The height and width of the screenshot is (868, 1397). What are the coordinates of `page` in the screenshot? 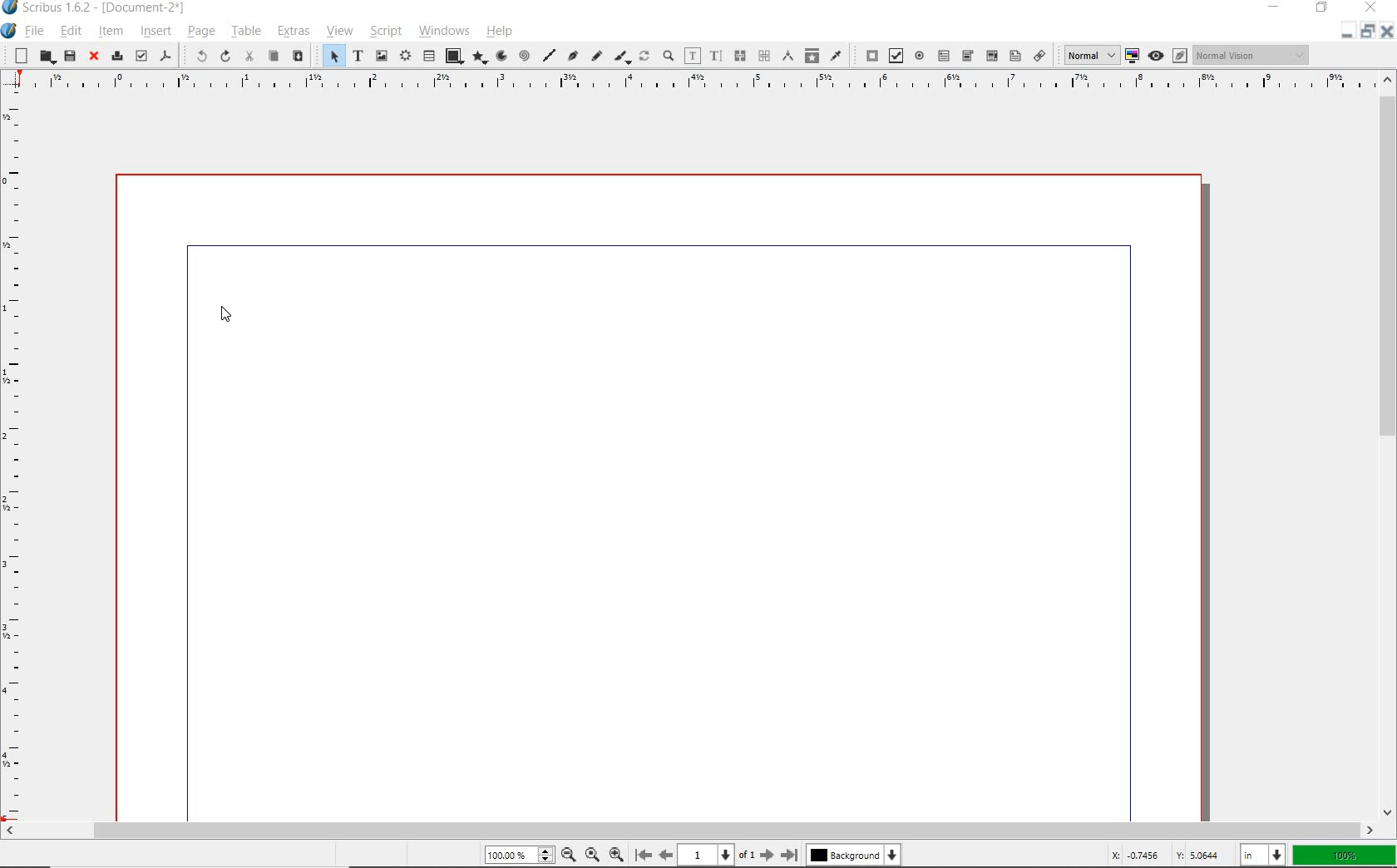 It's located at (201, 31).